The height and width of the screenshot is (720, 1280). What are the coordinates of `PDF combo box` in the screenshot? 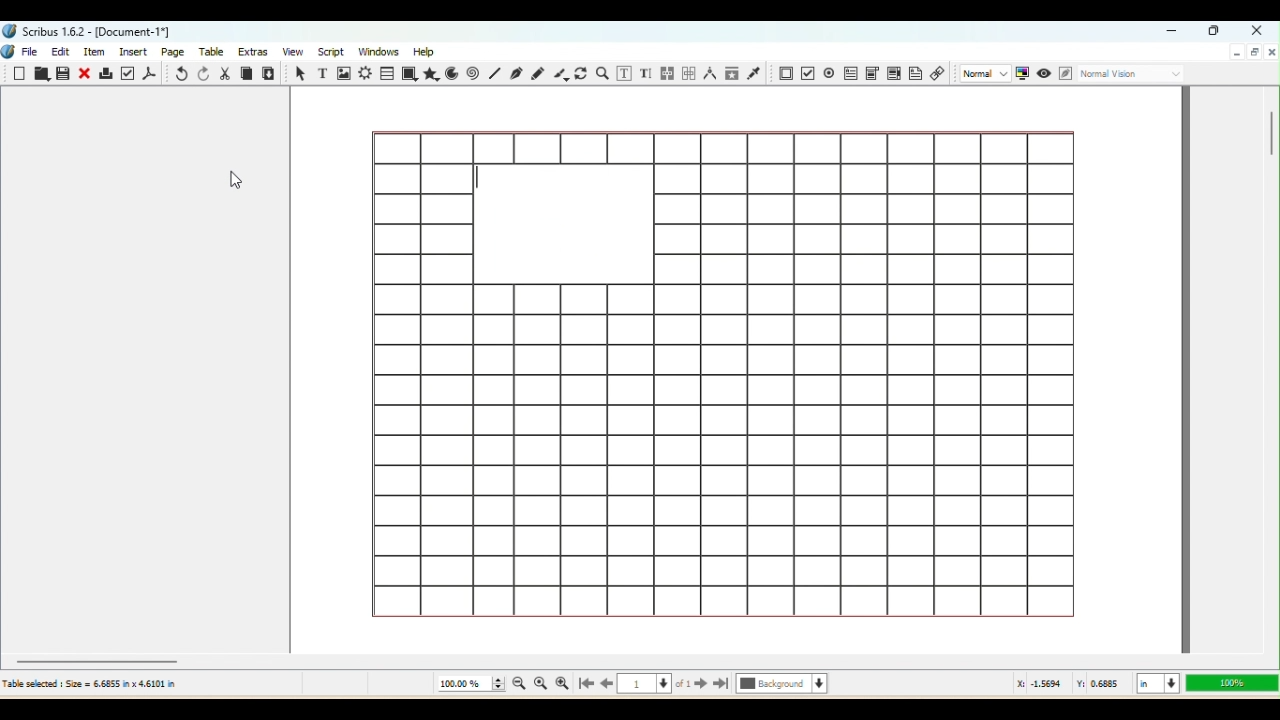 It's located at (871, 71).